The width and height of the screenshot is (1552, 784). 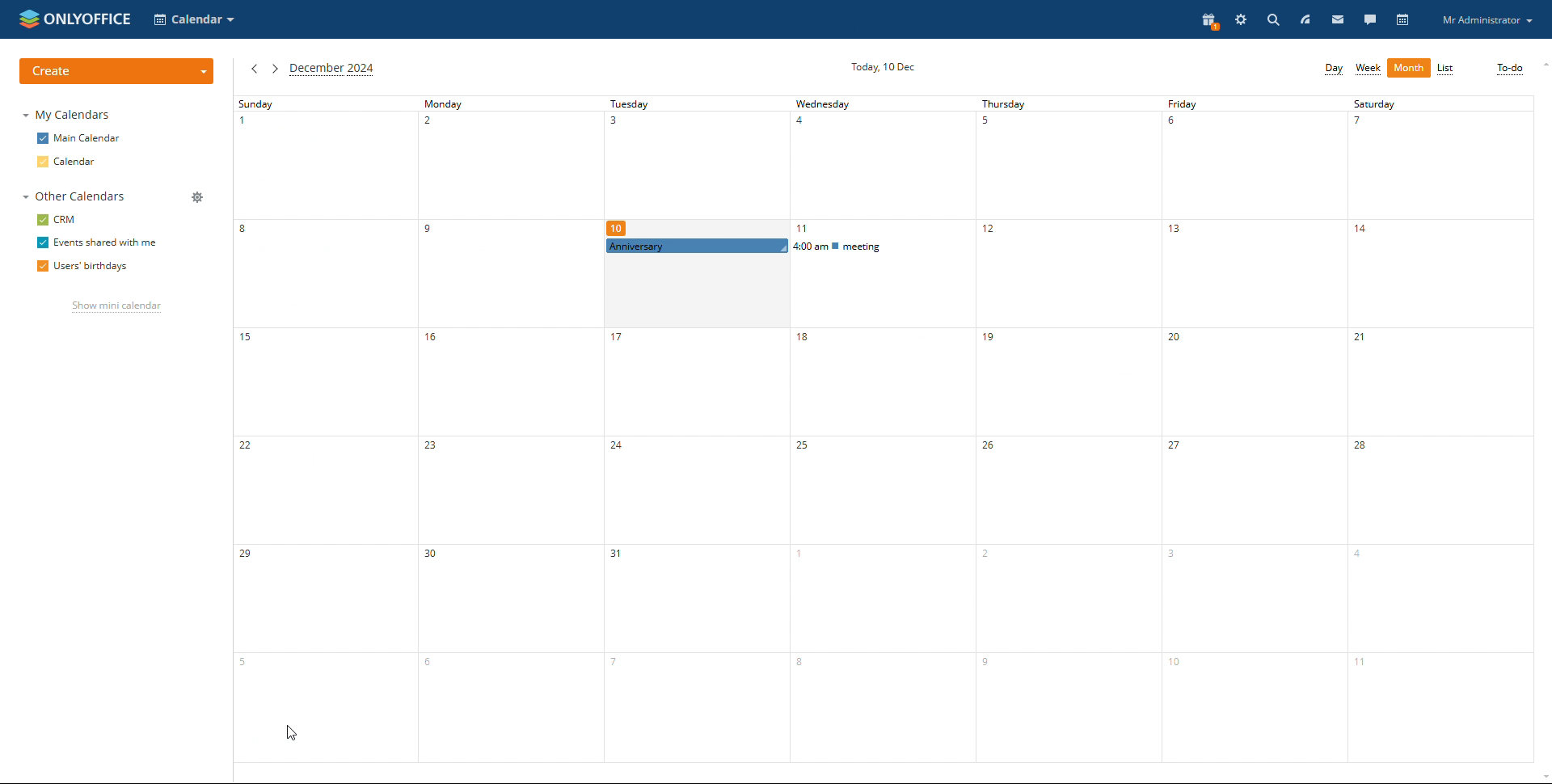 What do you see at coordinates (196, 197) in the screenshot?
I see `manage` at bounding box center [196, 197].